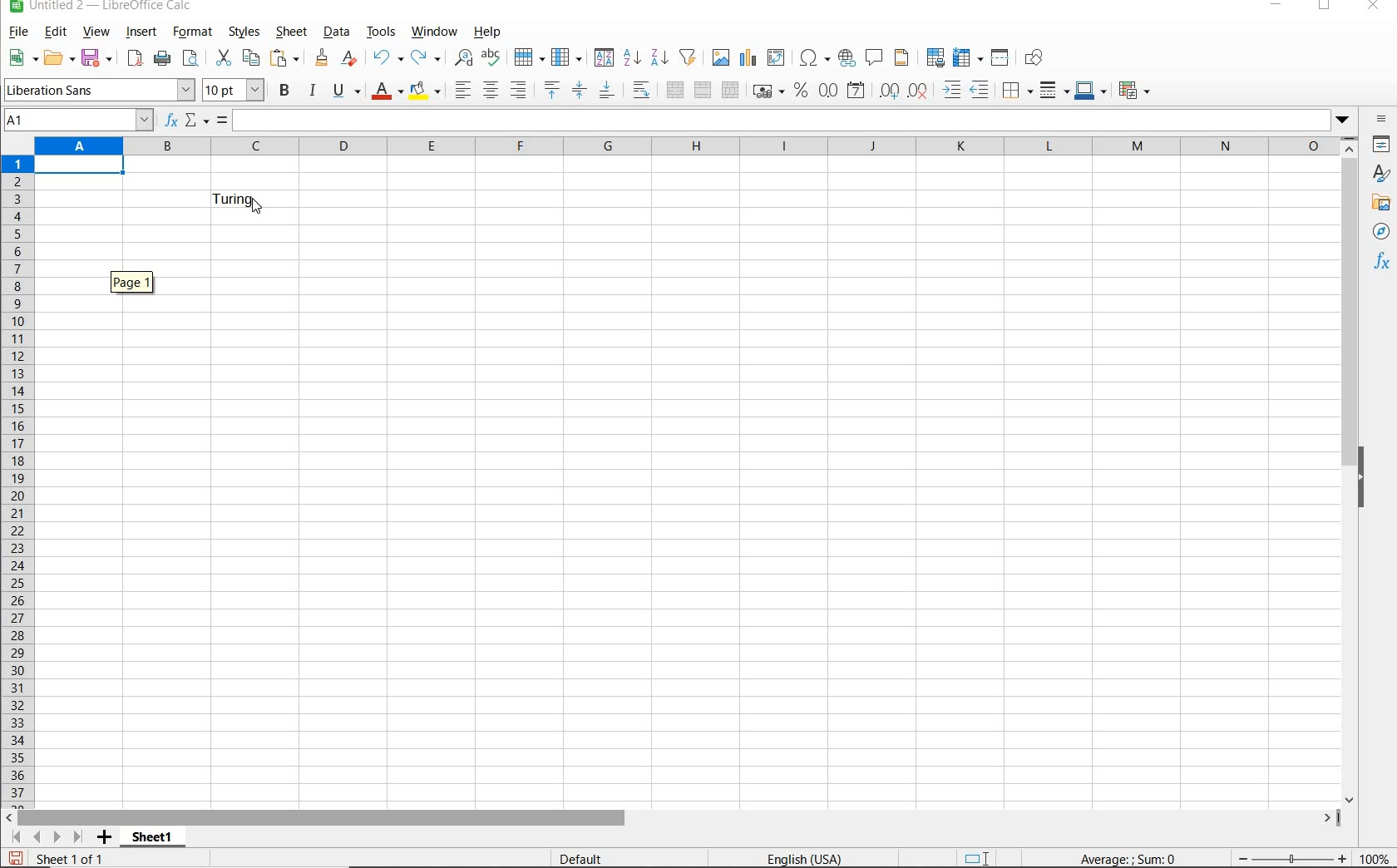 The height and width of the screenshot is (868, 1397). Describe the element at coordinates (1376, 859) in the screenshot. I see `ZOOM FACTOR` at that location.